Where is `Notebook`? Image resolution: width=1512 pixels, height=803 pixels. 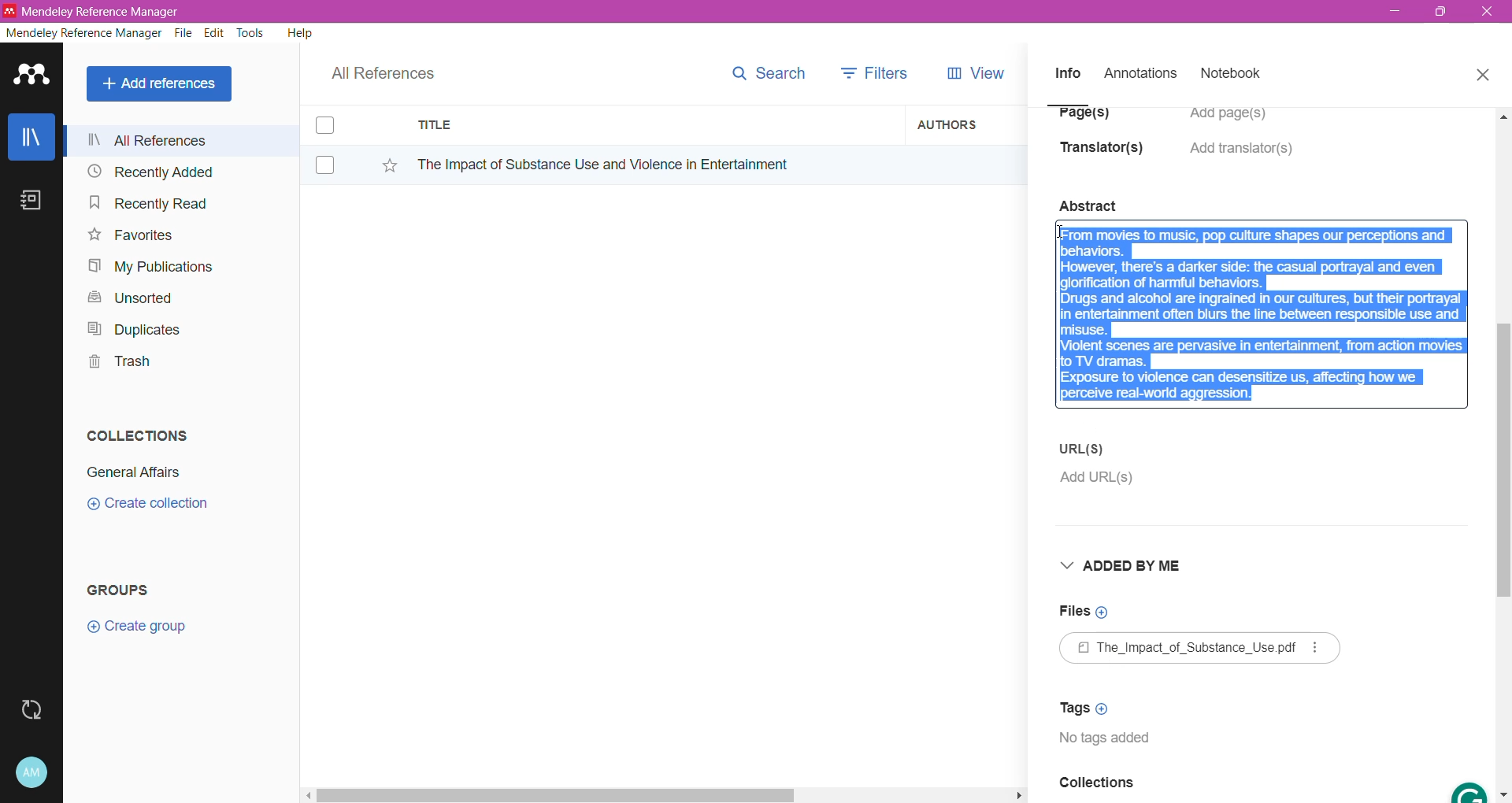
Notebook is located at coordinates (1236, 75).